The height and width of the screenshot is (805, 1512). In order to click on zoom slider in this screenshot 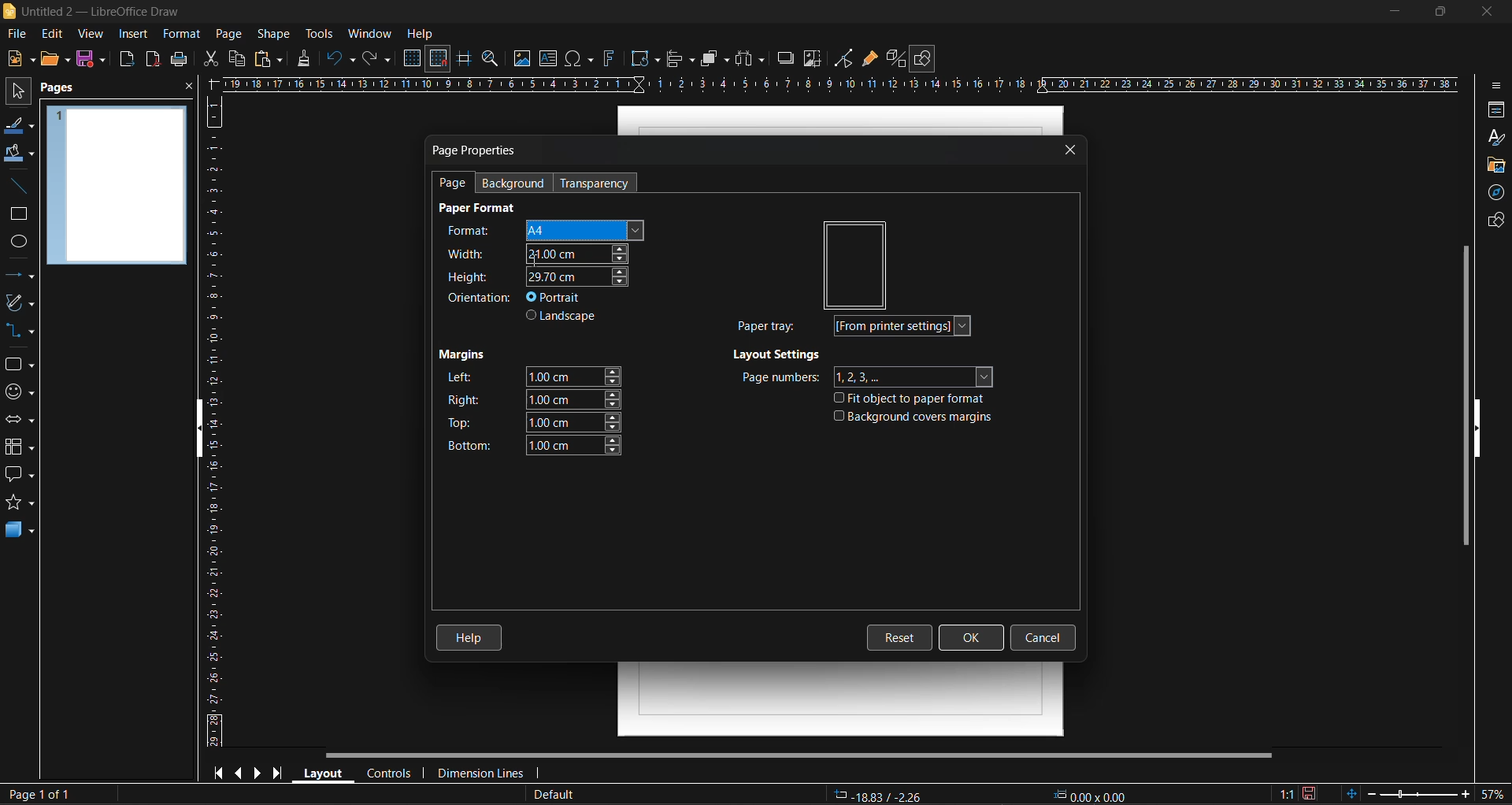, I will do `click(1411, 796)`.